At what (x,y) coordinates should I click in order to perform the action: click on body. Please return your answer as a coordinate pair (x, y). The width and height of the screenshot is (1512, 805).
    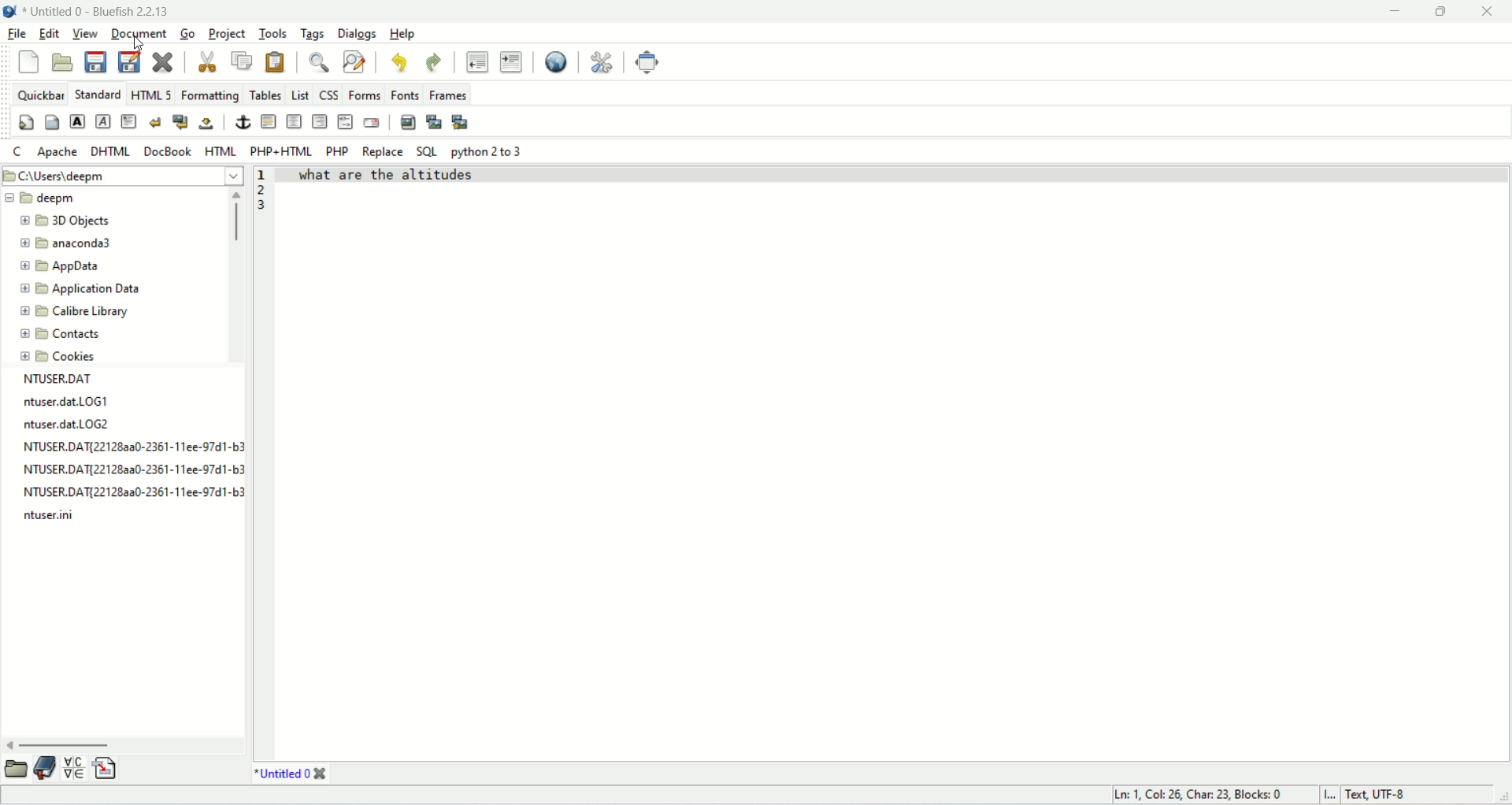
    Looking at the image, I should click on (50, 124).